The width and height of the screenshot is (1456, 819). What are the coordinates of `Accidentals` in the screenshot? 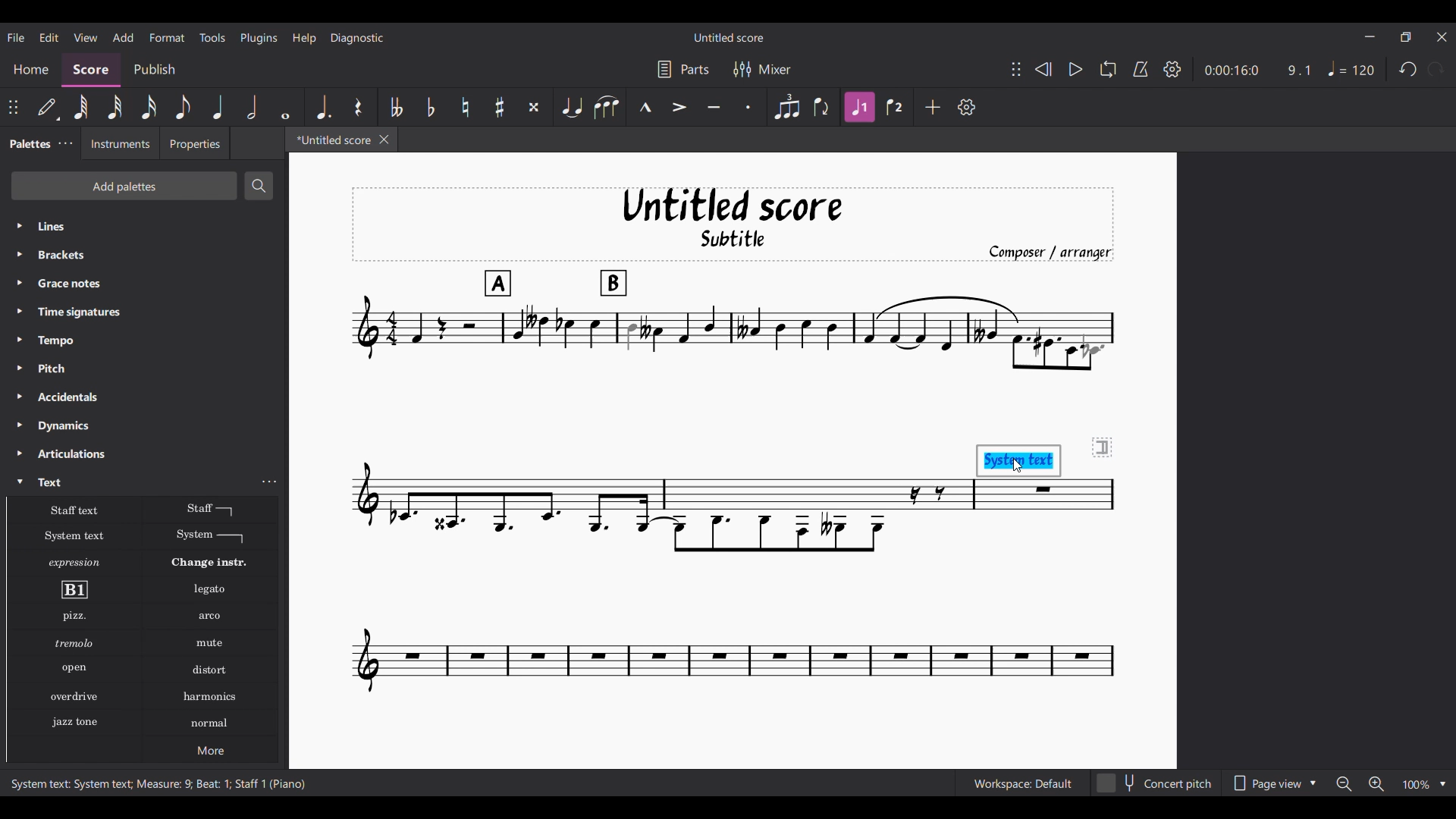 It's located at (143, 397).